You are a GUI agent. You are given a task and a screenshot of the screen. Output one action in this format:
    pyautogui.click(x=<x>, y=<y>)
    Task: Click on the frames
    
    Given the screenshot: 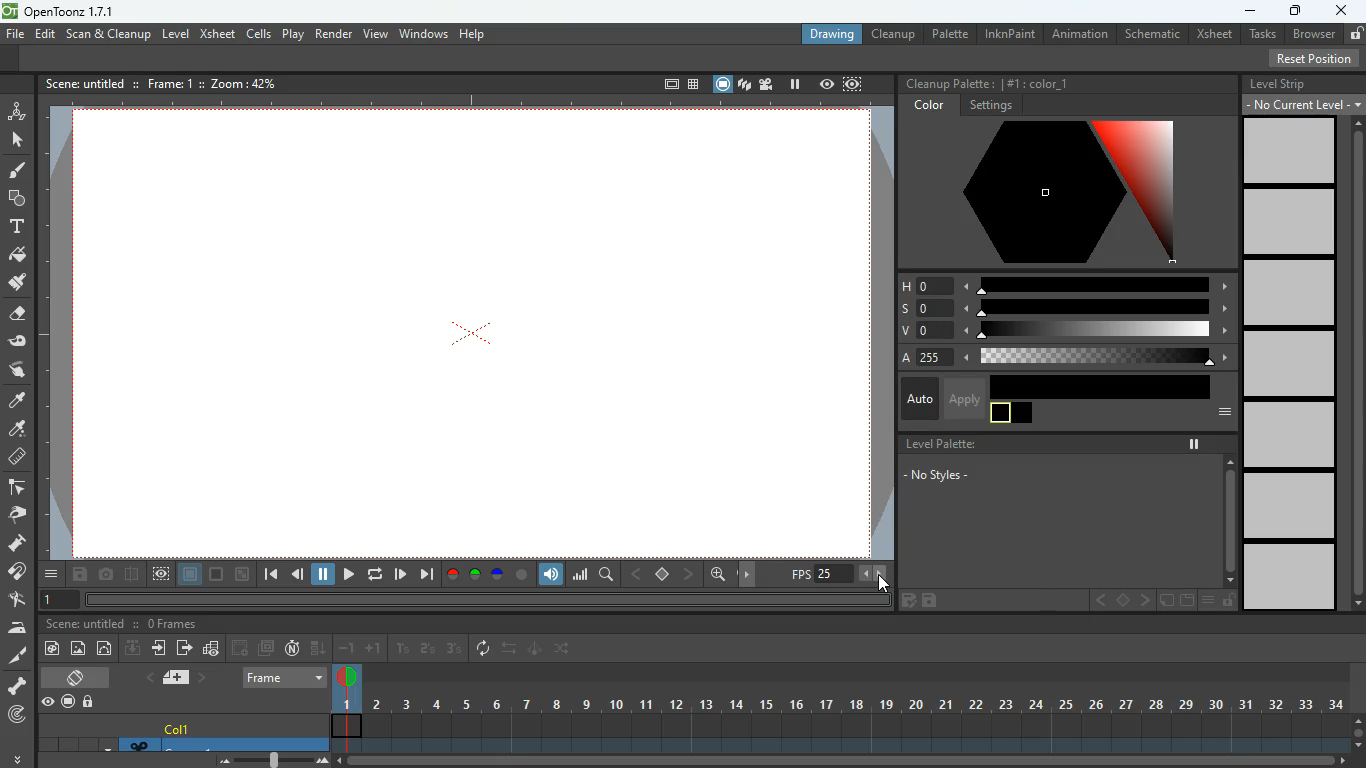 What is the action you would take?
    pyautogui.click(x=172, y=623)
    